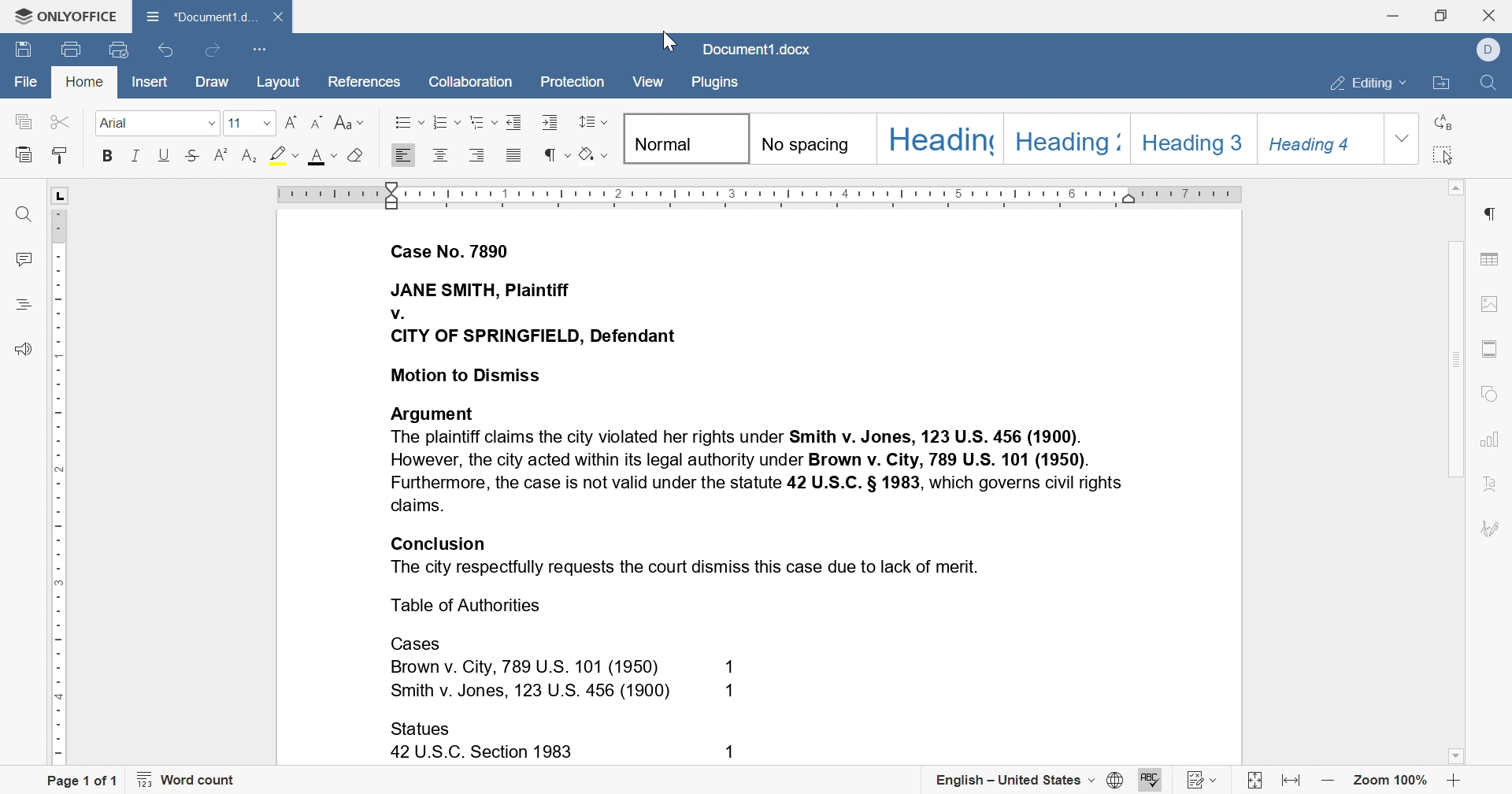 The height and width of the screenshot is (794, 1512). I want to click on headings, so click(1002, 138).